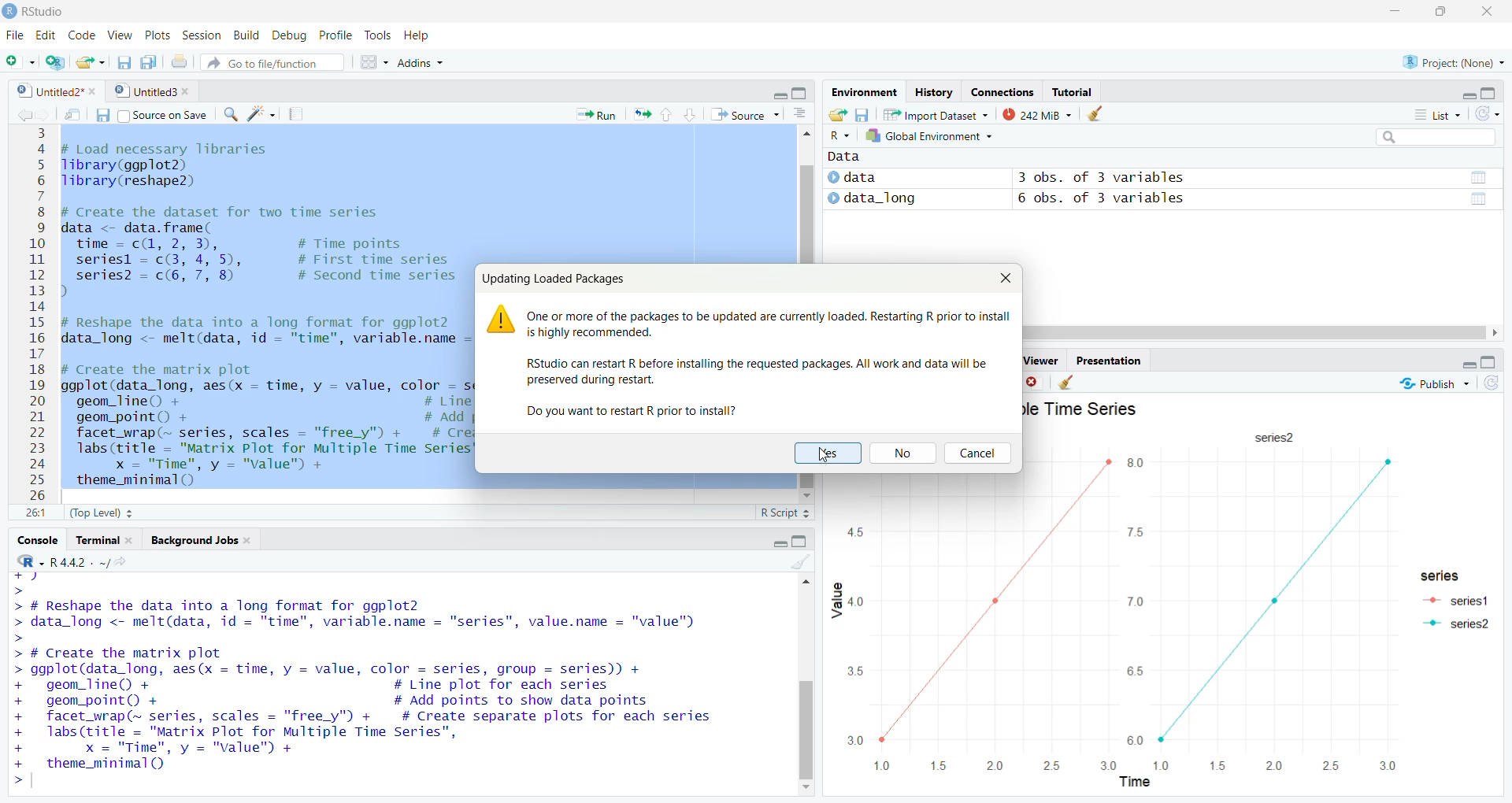 This screenshot has width=1512, height=803. Describe the element at coordinates (190, 92) in the screenshot. I see `close` at that location.